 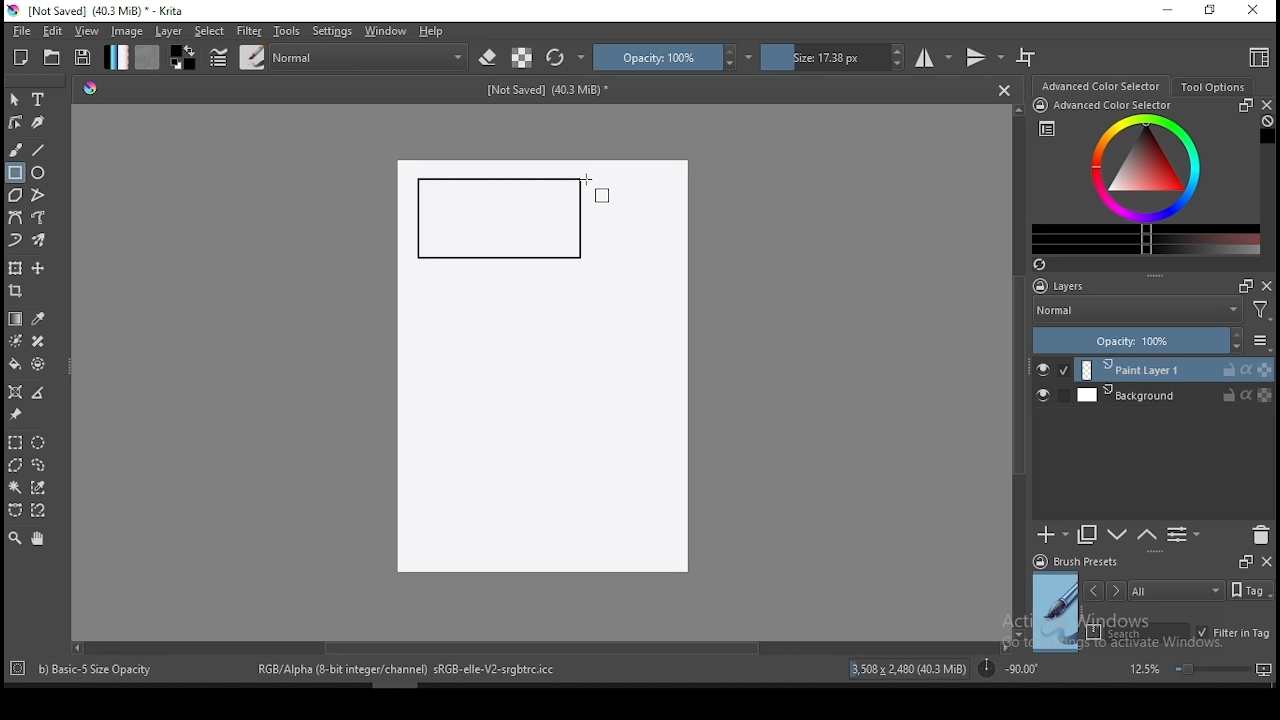 What do you see at coordinates (38, 193) in the screenshot?
I see `polyline tool` at bounding box center [38, 193].